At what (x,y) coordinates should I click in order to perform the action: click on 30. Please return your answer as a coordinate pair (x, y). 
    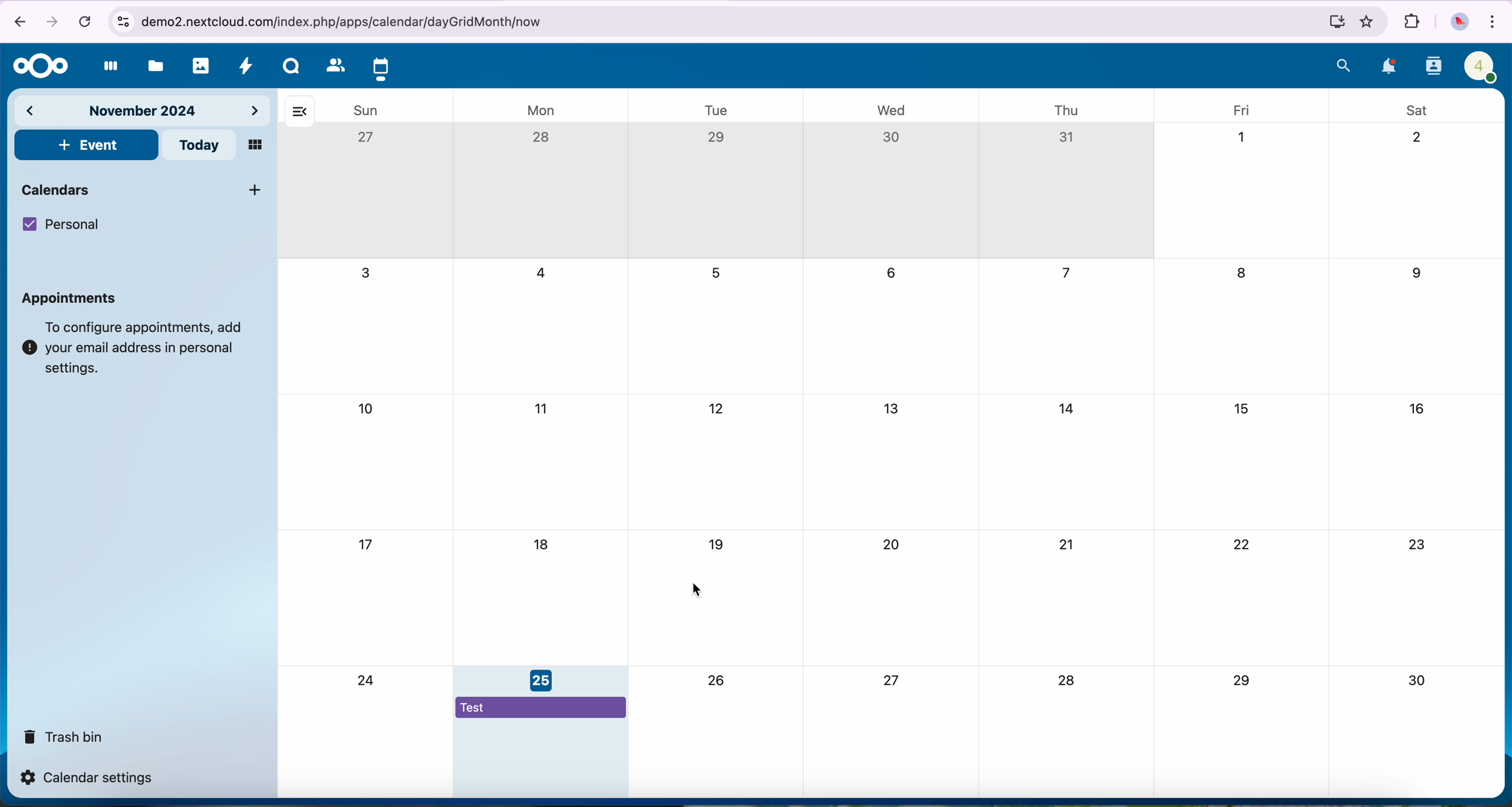
    Looking at the image, I should click on (891, 137).